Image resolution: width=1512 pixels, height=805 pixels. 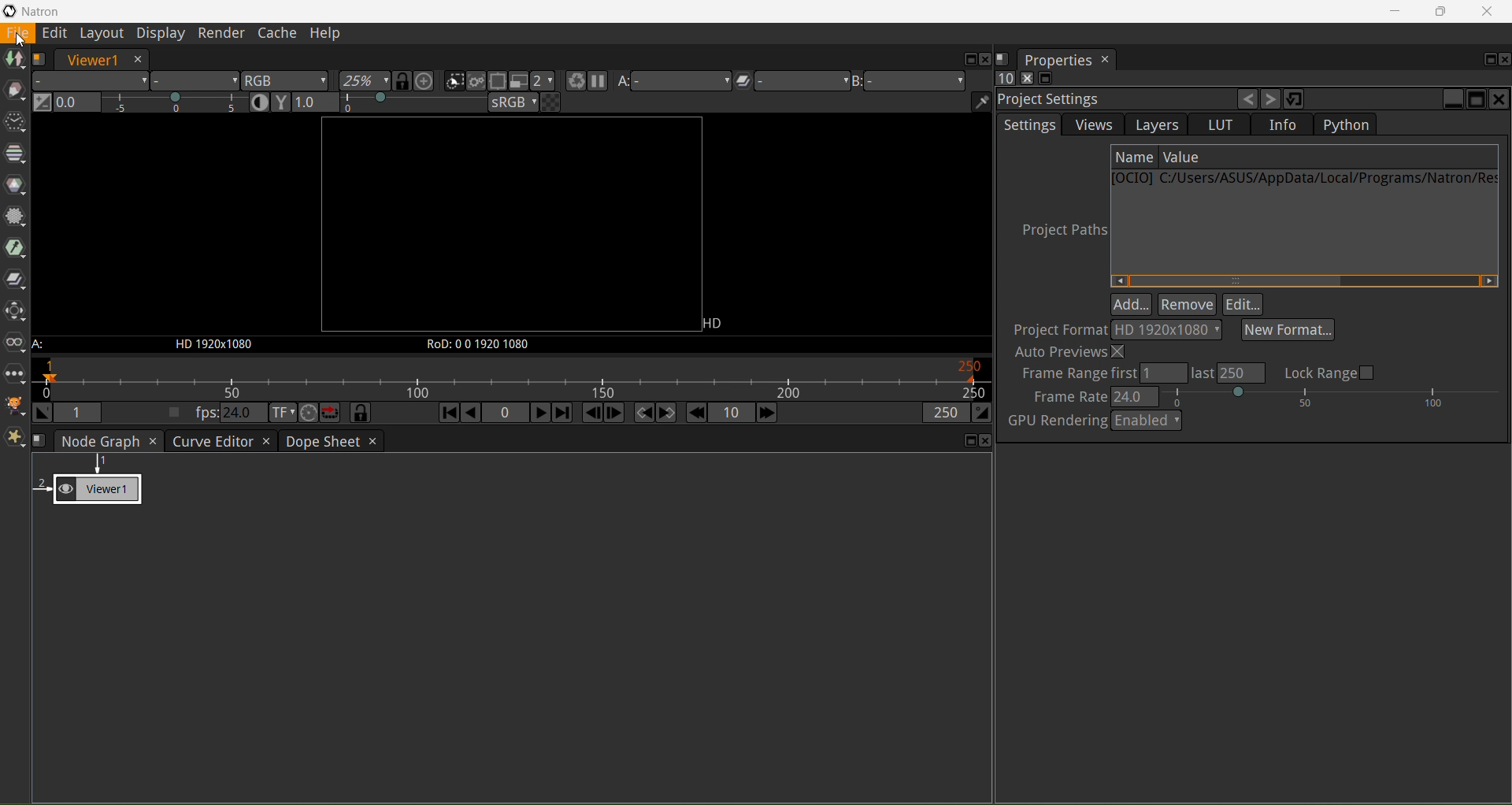 I want to click on Play forward, so click(x=539, y=414).